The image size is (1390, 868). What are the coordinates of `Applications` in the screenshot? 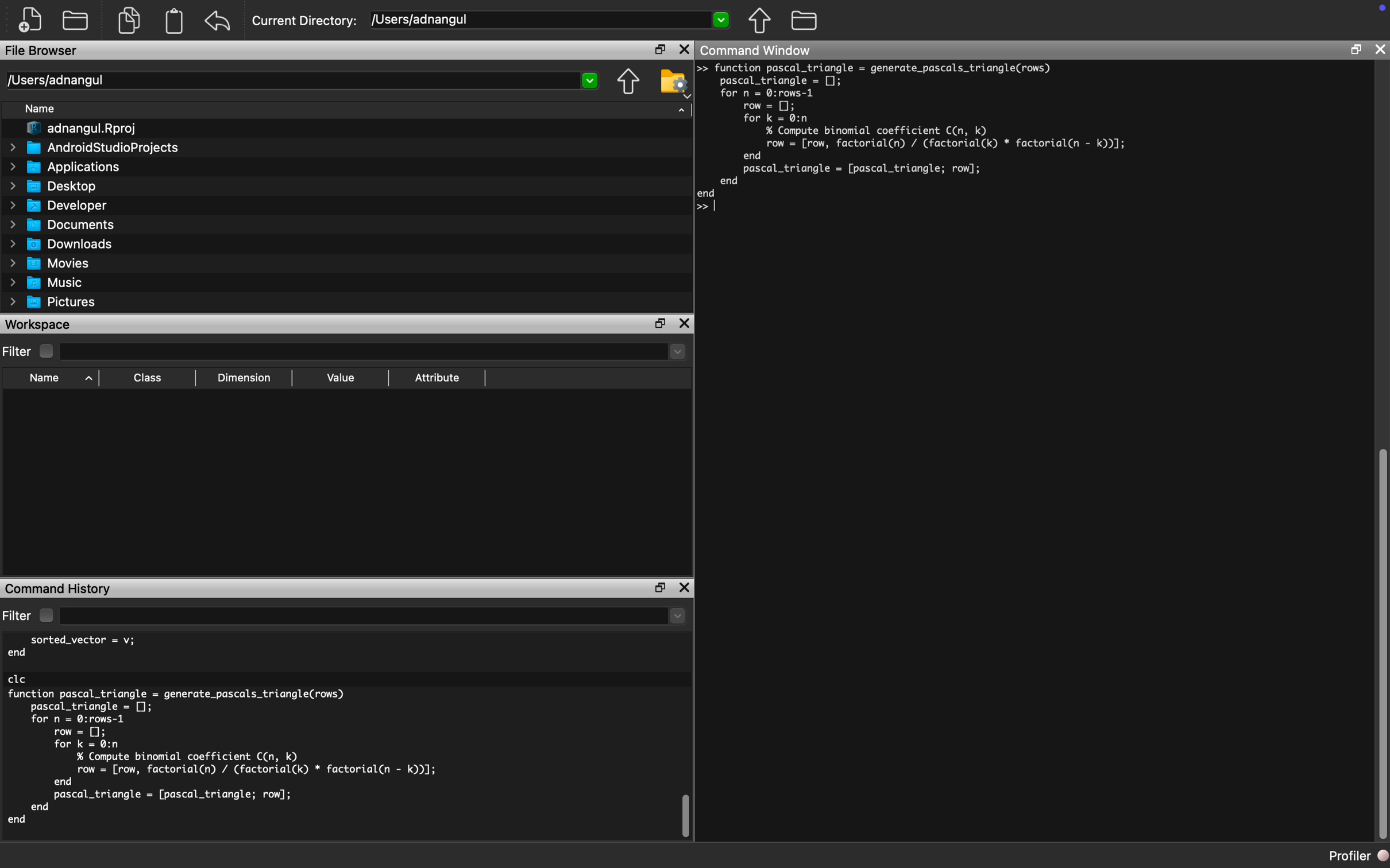 It's located at (65, 167).